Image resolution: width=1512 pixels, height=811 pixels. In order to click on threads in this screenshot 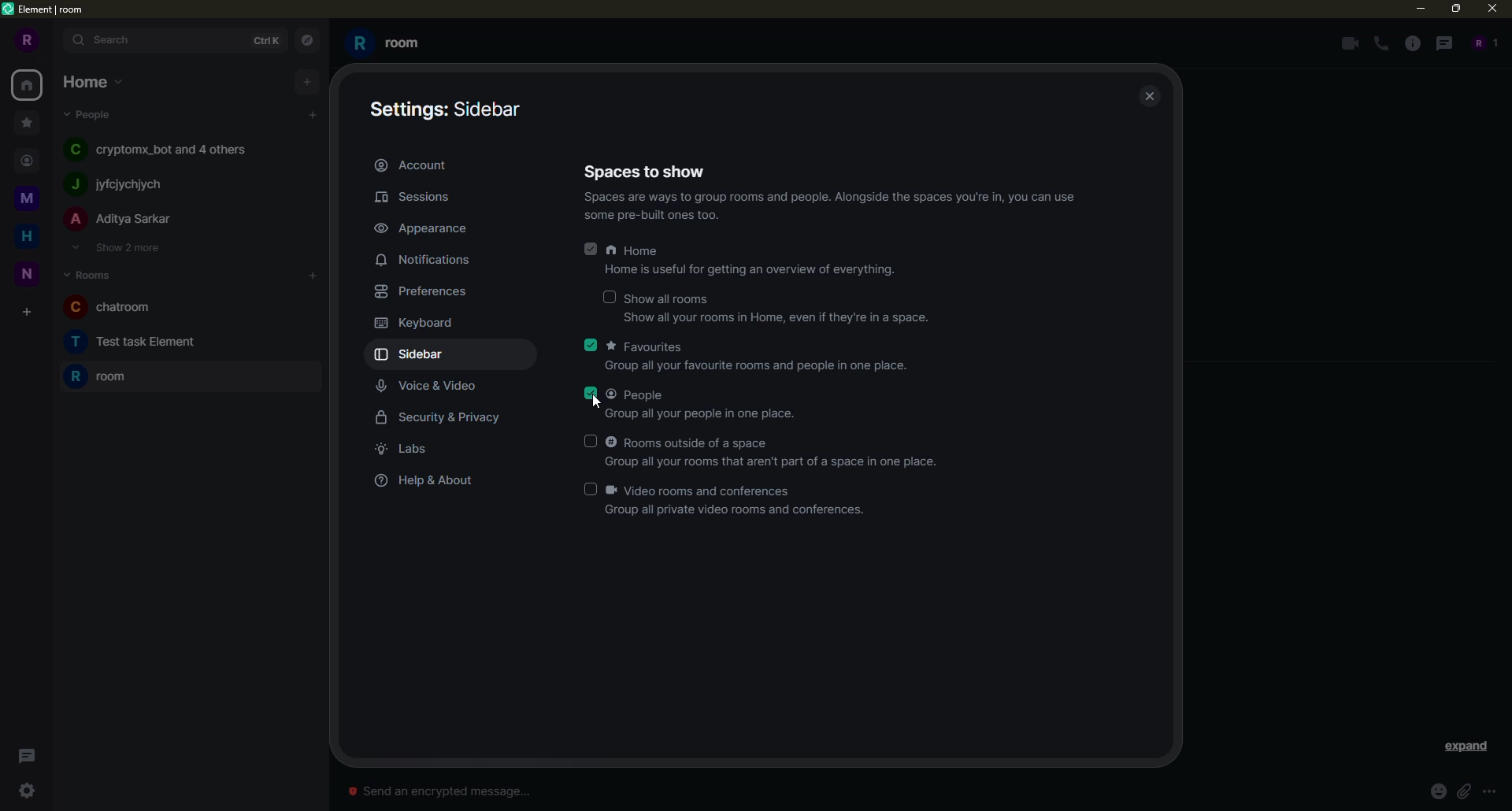, I will do `click(1447, 43)`.